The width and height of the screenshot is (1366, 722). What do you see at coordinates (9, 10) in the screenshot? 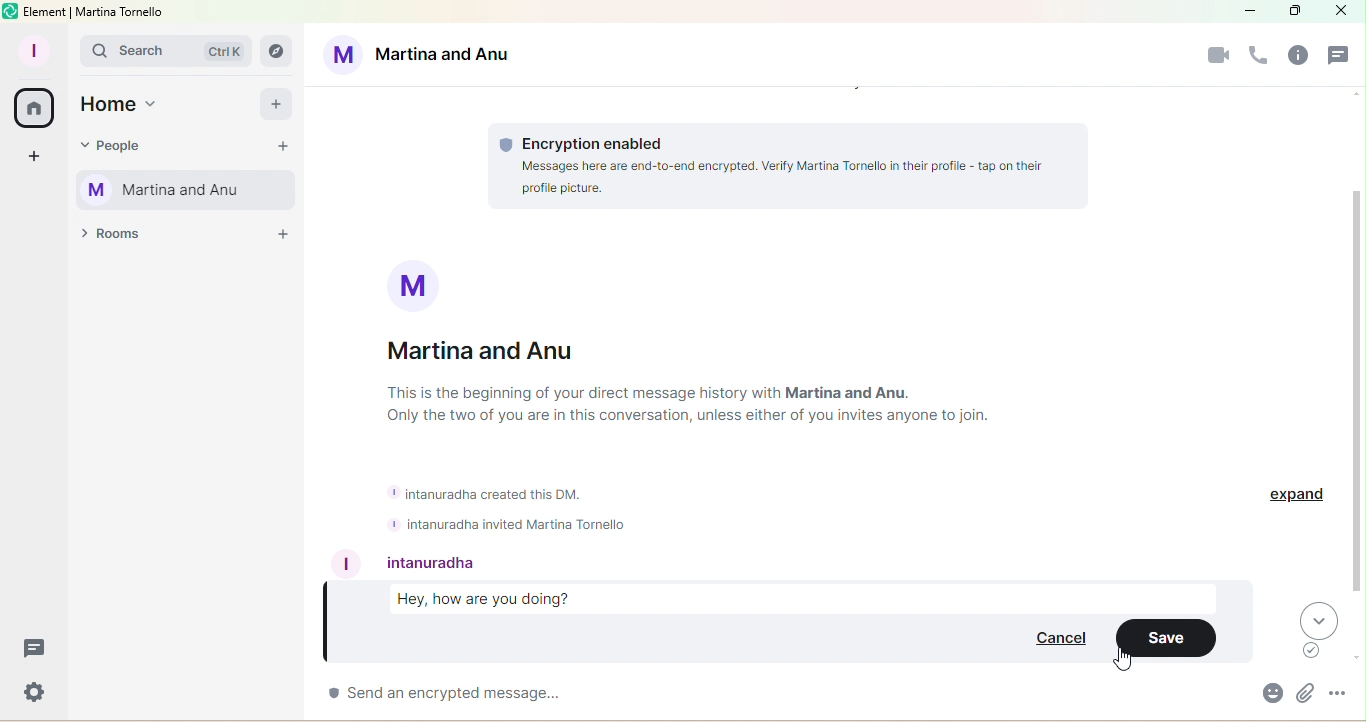
I see `Element icon` at bounding box center [9, 10].